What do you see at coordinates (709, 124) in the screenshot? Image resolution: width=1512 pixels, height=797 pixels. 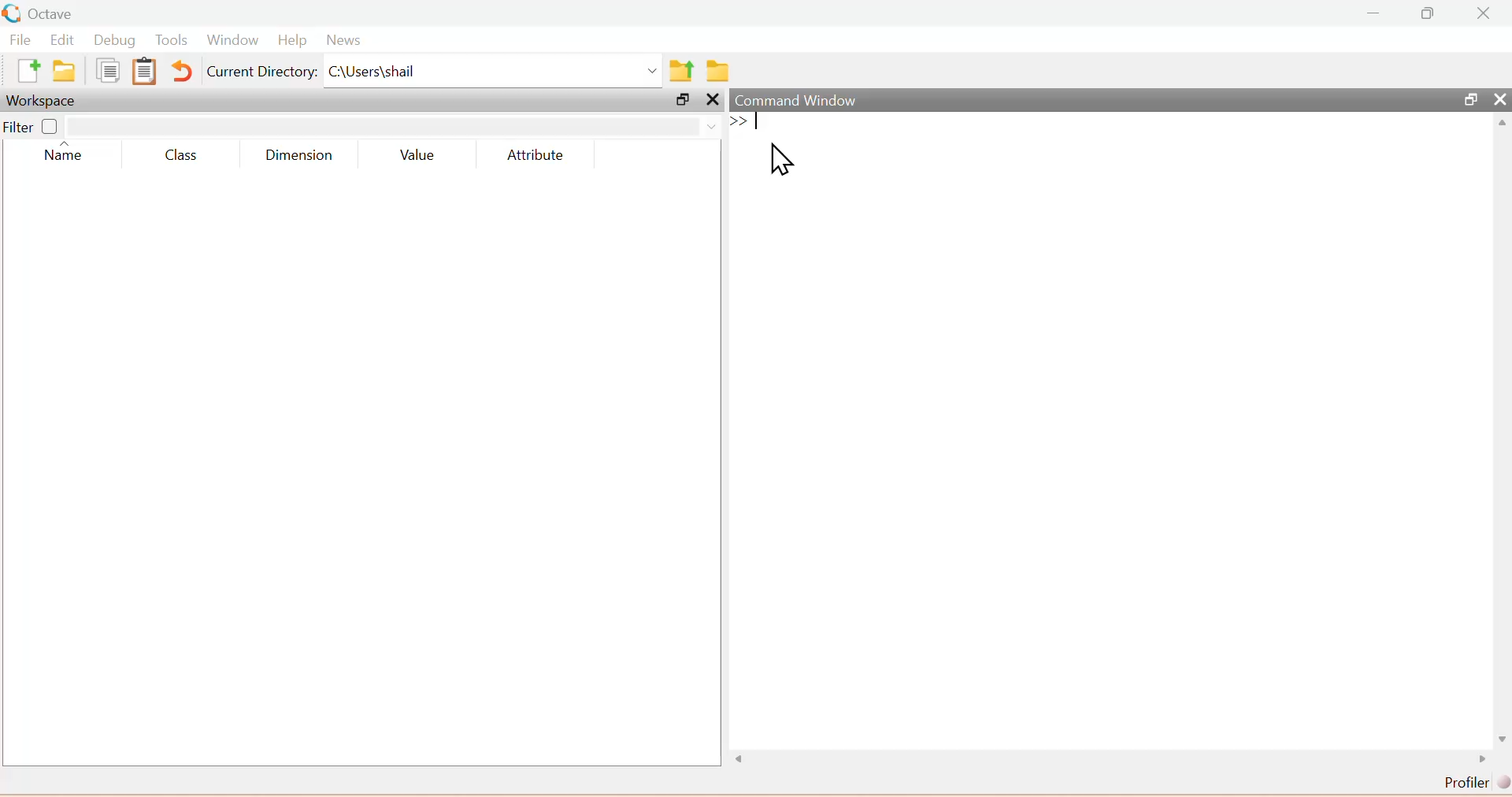 I see `drop down` at bounding box center [709, 124].